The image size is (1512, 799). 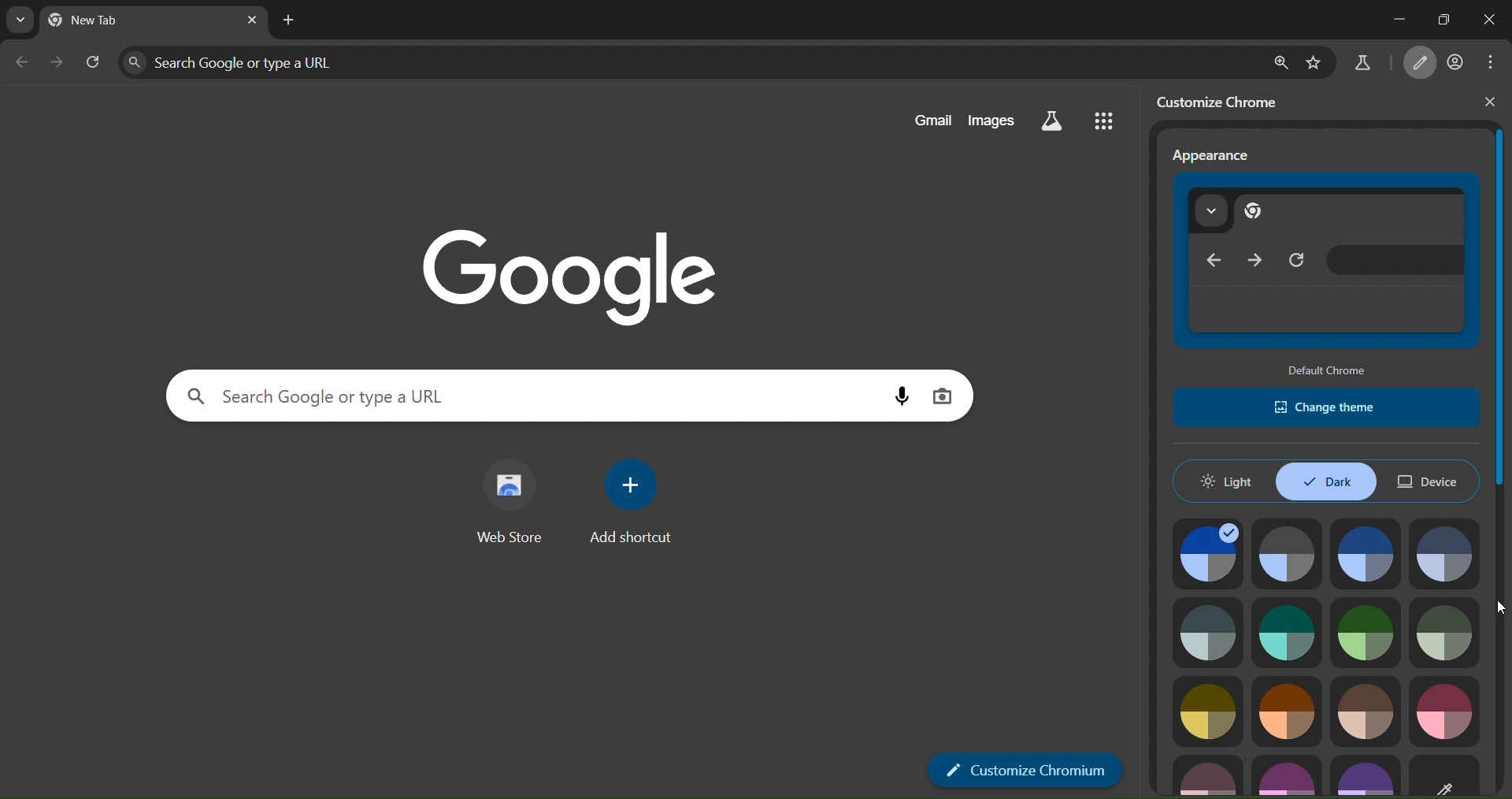 I want to click on reload page, so click(x=94, y=63).